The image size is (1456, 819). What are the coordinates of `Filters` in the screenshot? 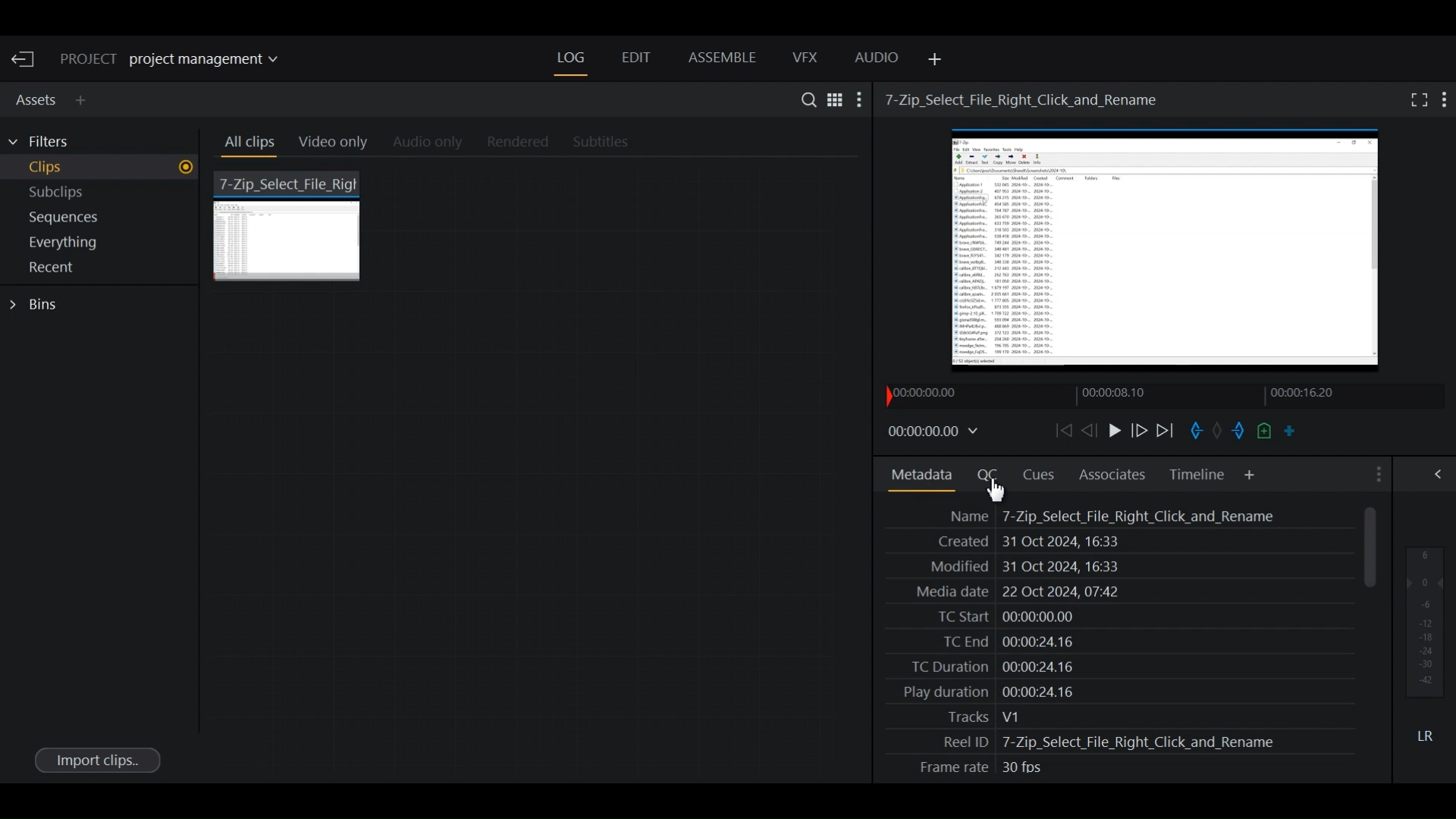 It's located at (47, 142).